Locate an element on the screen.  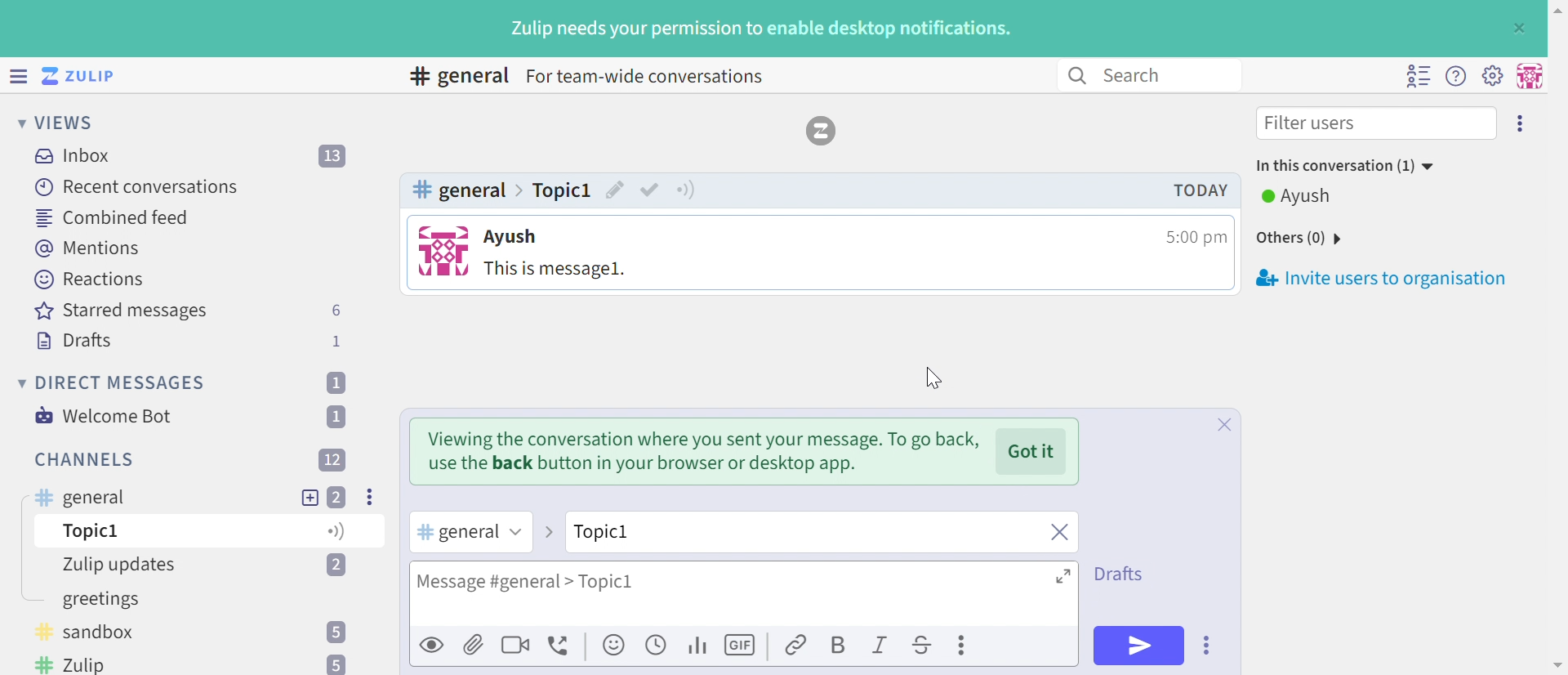
Filter users is located at coordinates (1314, 125).